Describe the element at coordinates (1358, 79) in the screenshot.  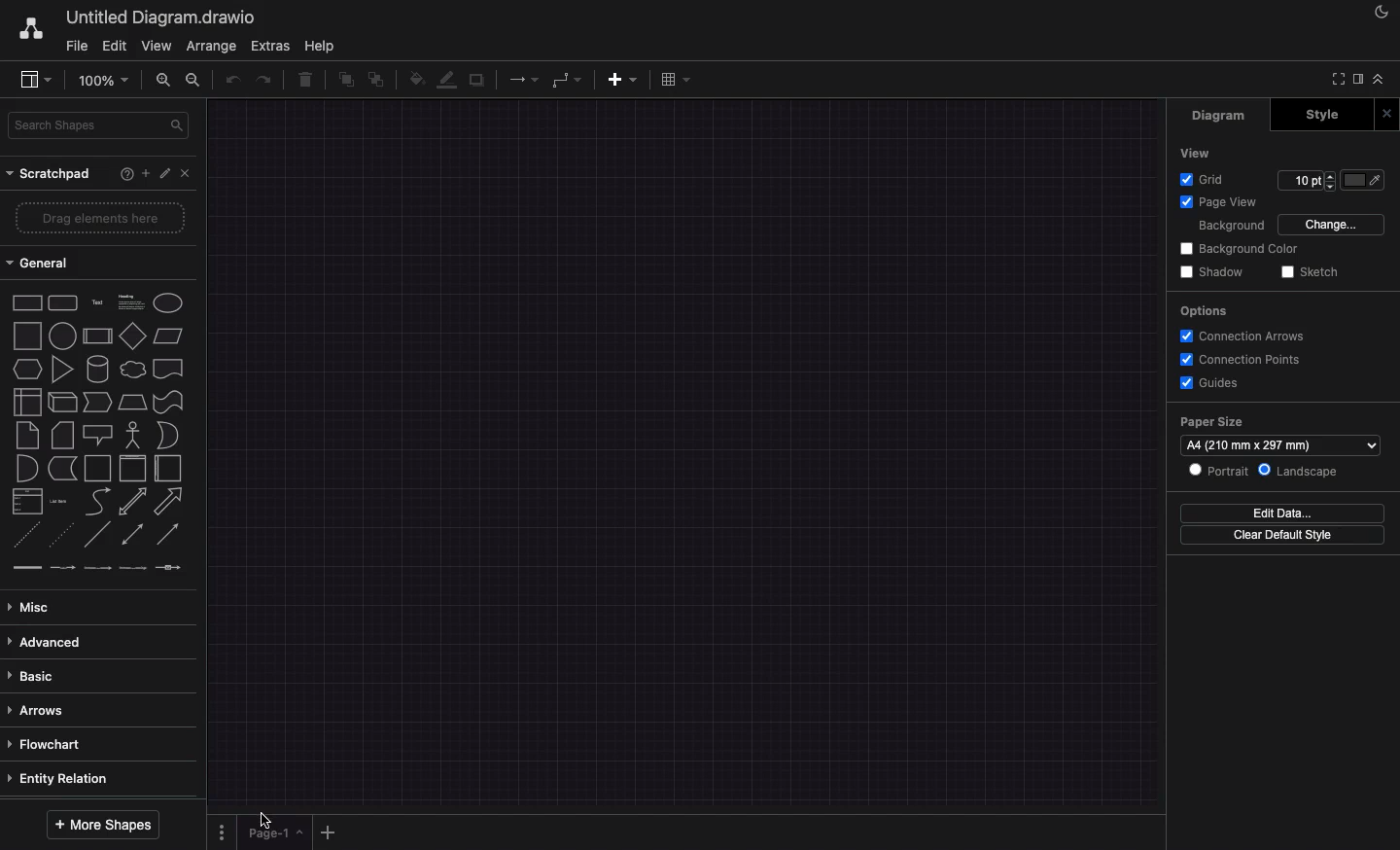
I see `sidebar` at that location.